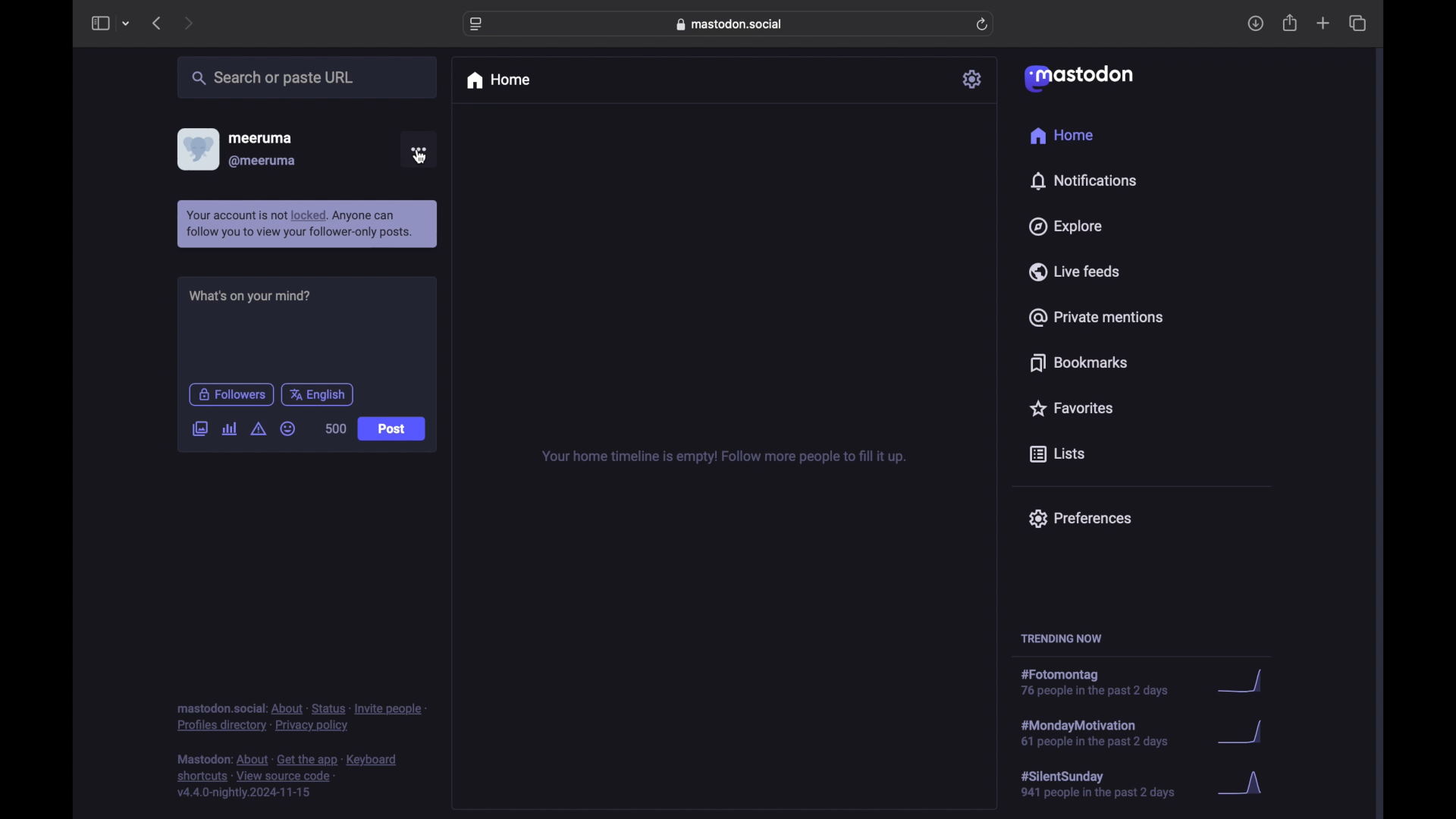 This screenshot has height=819, width=1456. What do you see at coordinates (1256, 24) in the screenshot?
I see `downloads` at bounding box center [1256, 24].